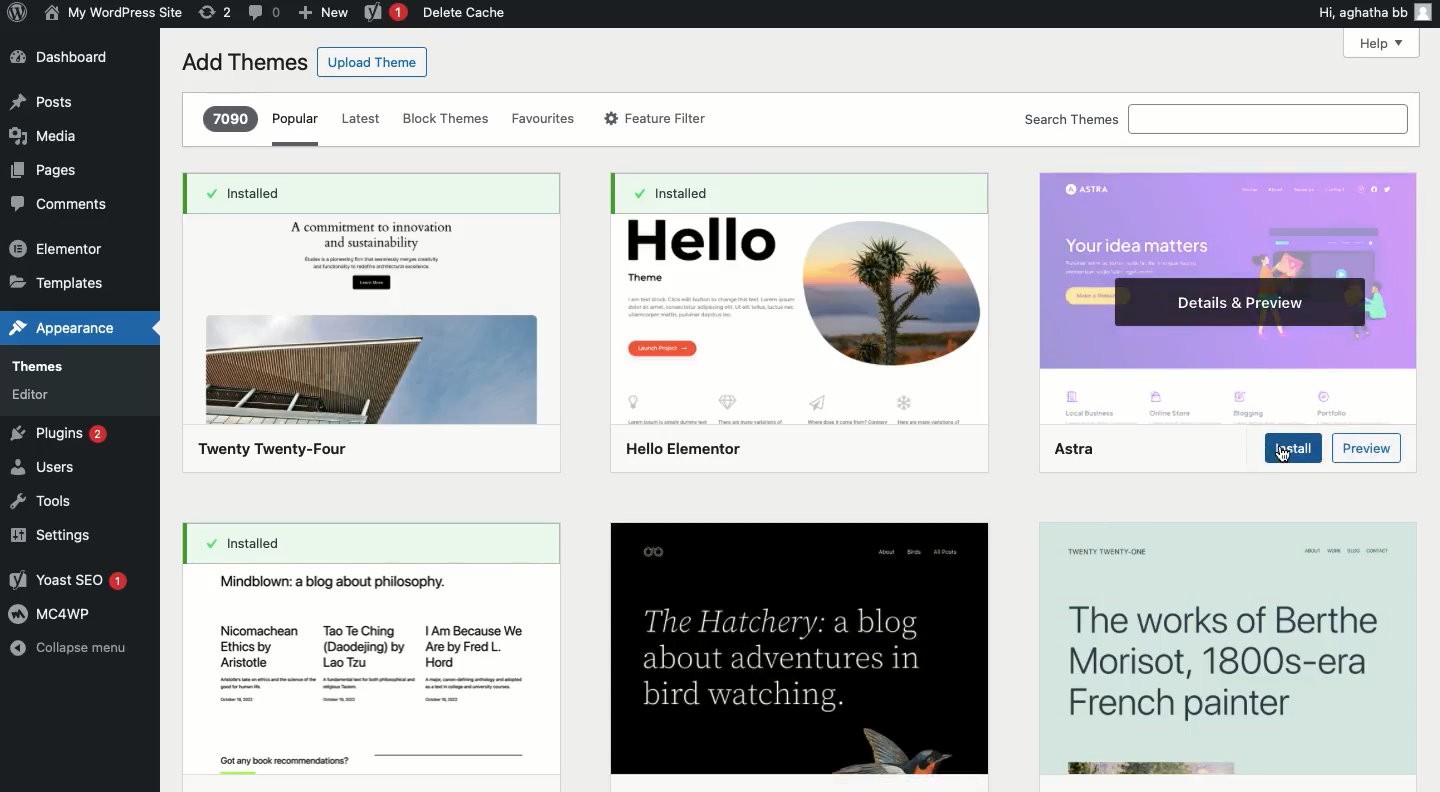 This screenshot has height=792, width=1440. I want to click on Revision, so click(217, 11).